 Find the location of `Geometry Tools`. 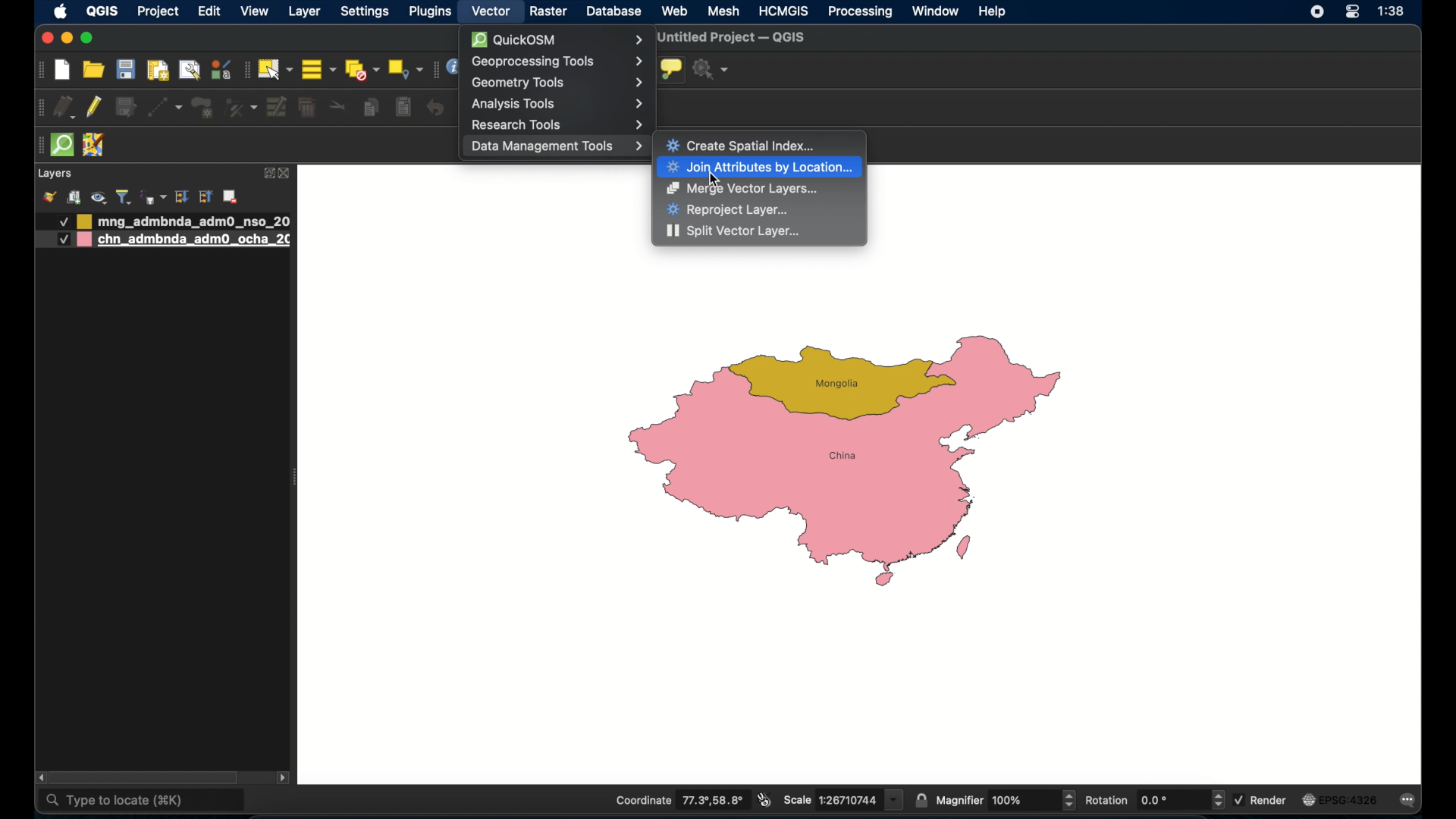

Geometry Tools is located at coordinates (558, 85).